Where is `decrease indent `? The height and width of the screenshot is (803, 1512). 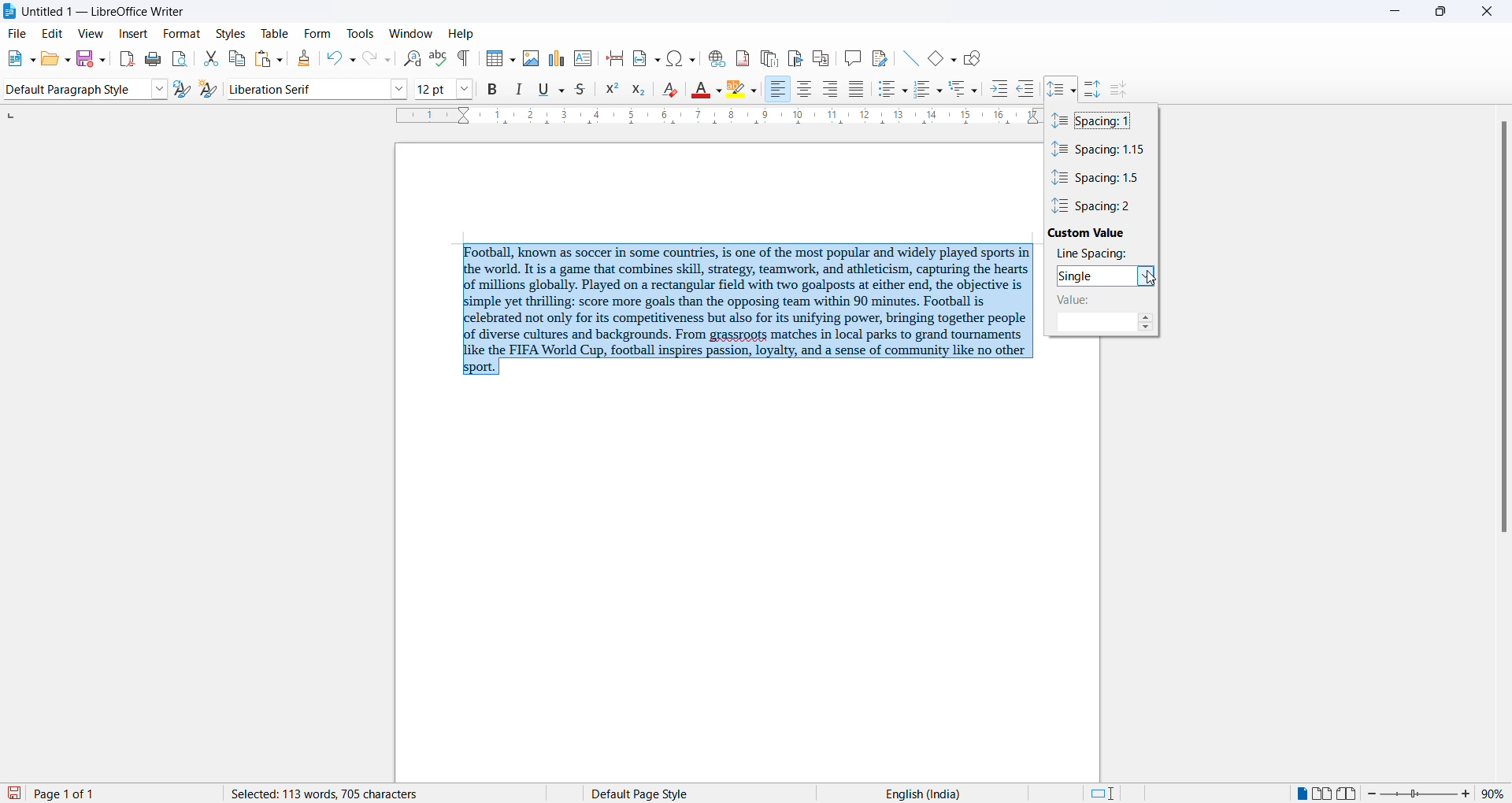 decrease indent  is located at coordinates (1027, 88).